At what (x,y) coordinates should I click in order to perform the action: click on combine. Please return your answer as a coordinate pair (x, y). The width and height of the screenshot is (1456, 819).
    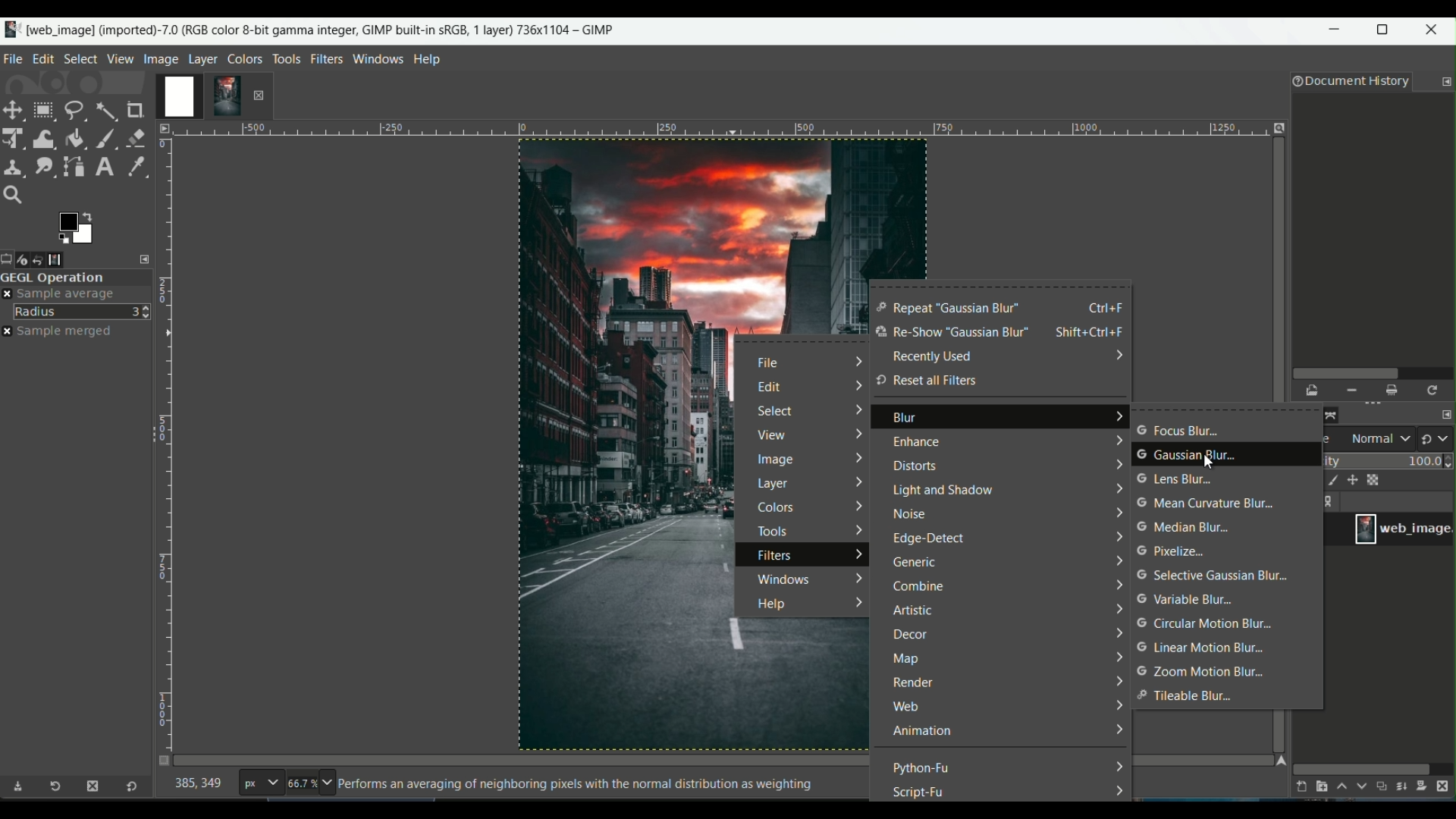
    Looking at the image, I should click on (920, 587).